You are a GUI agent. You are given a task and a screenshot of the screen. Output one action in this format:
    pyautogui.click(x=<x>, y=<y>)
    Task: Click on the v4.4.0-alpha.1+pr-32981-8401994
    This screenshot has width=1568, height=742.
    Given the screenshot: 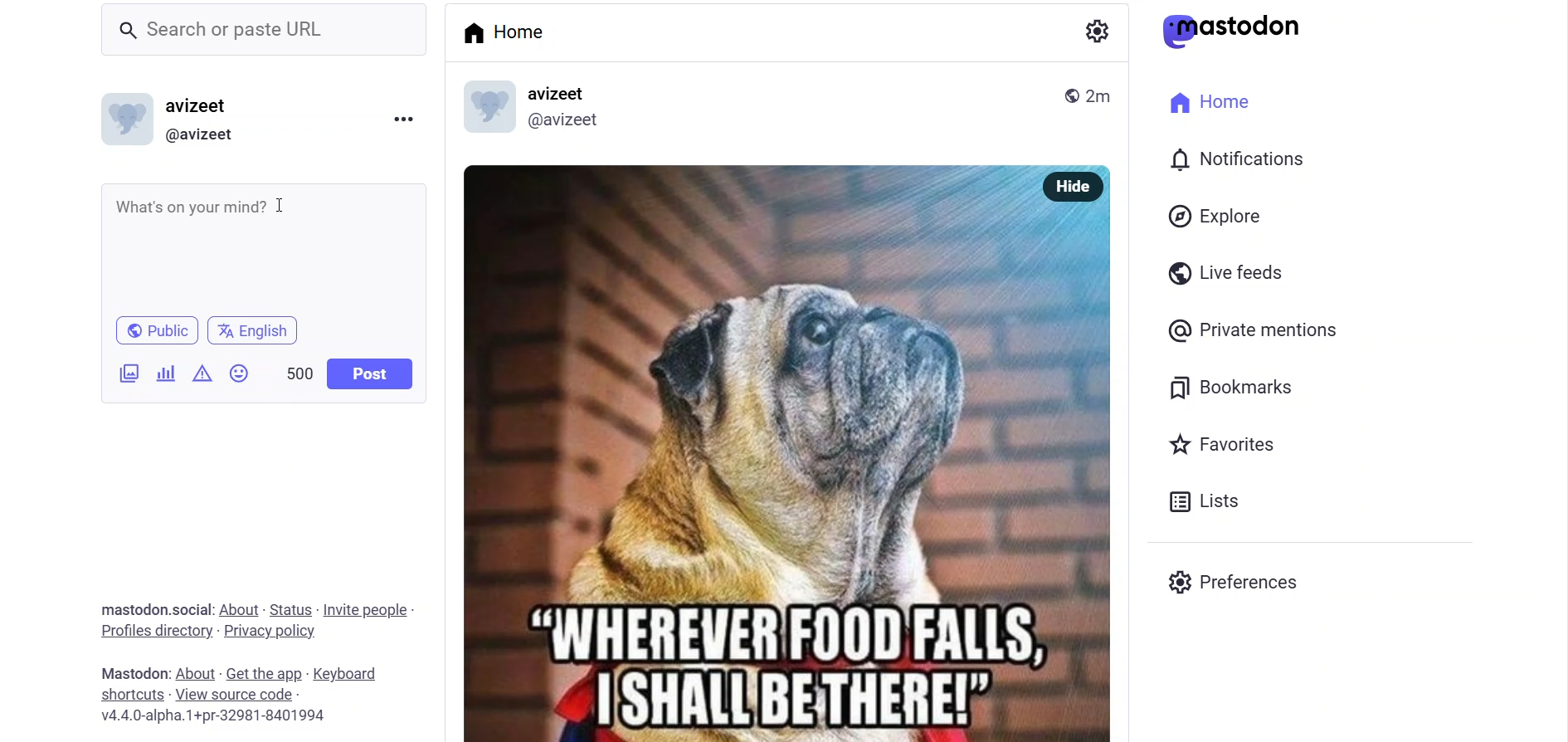 What is the action you would take?
    pyautogui.click(x=244, y=715)
    